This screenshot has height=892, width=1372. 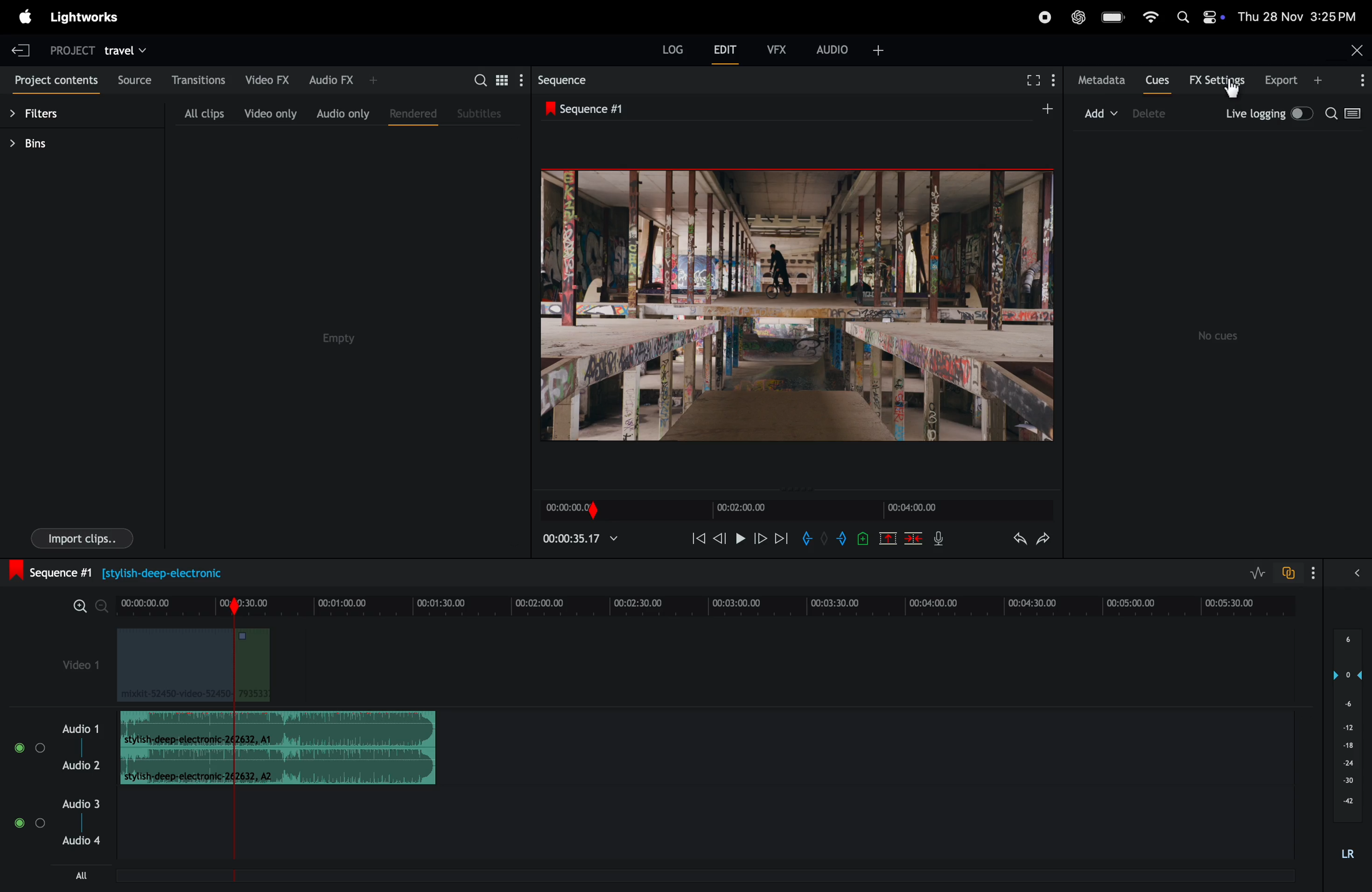 I want to click on add, so click(x=1084, y=115).